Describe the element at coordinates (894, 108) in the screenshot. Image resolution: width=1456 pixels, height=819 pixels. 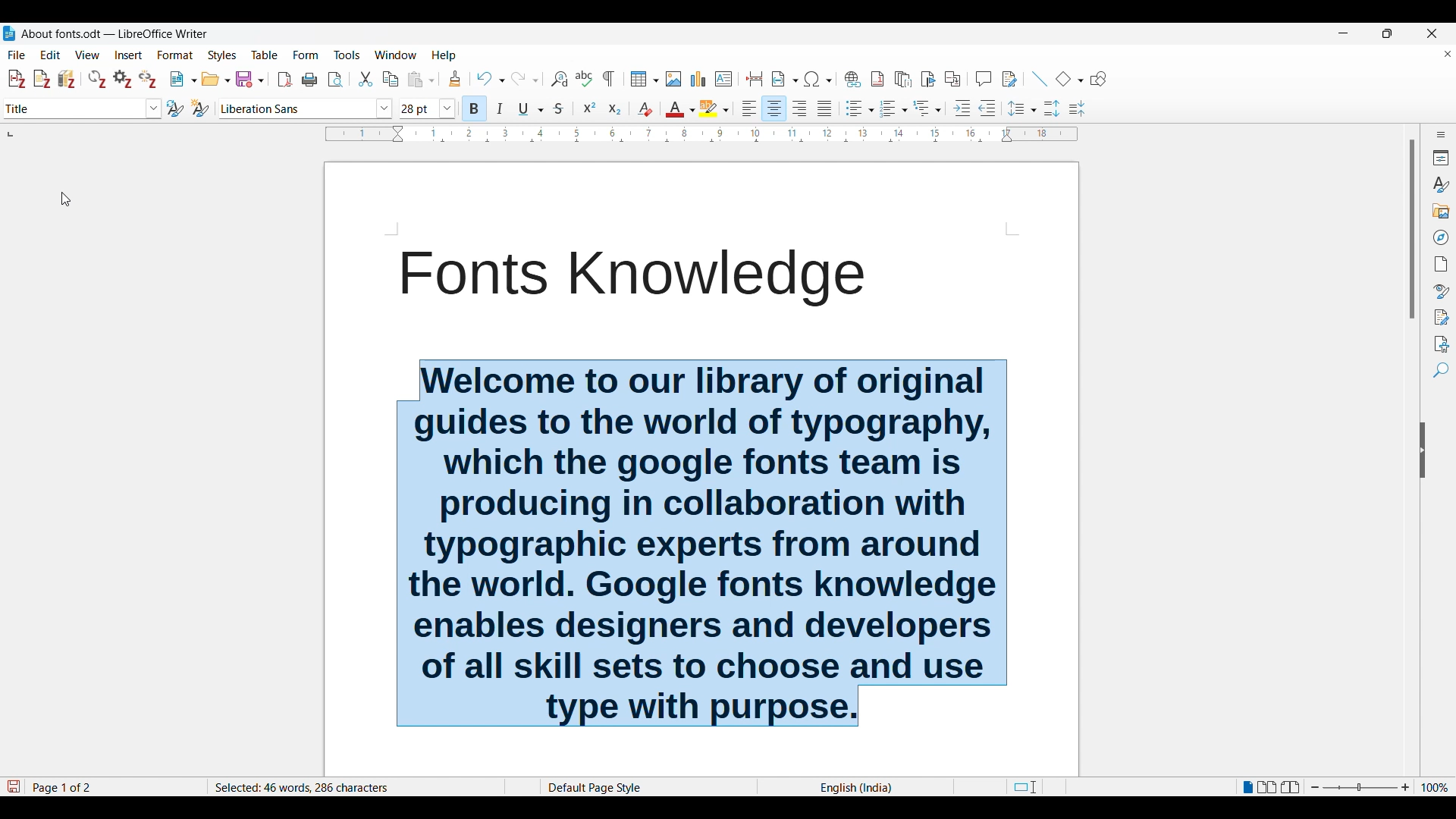
I see `Toggle ordered list` at that location.